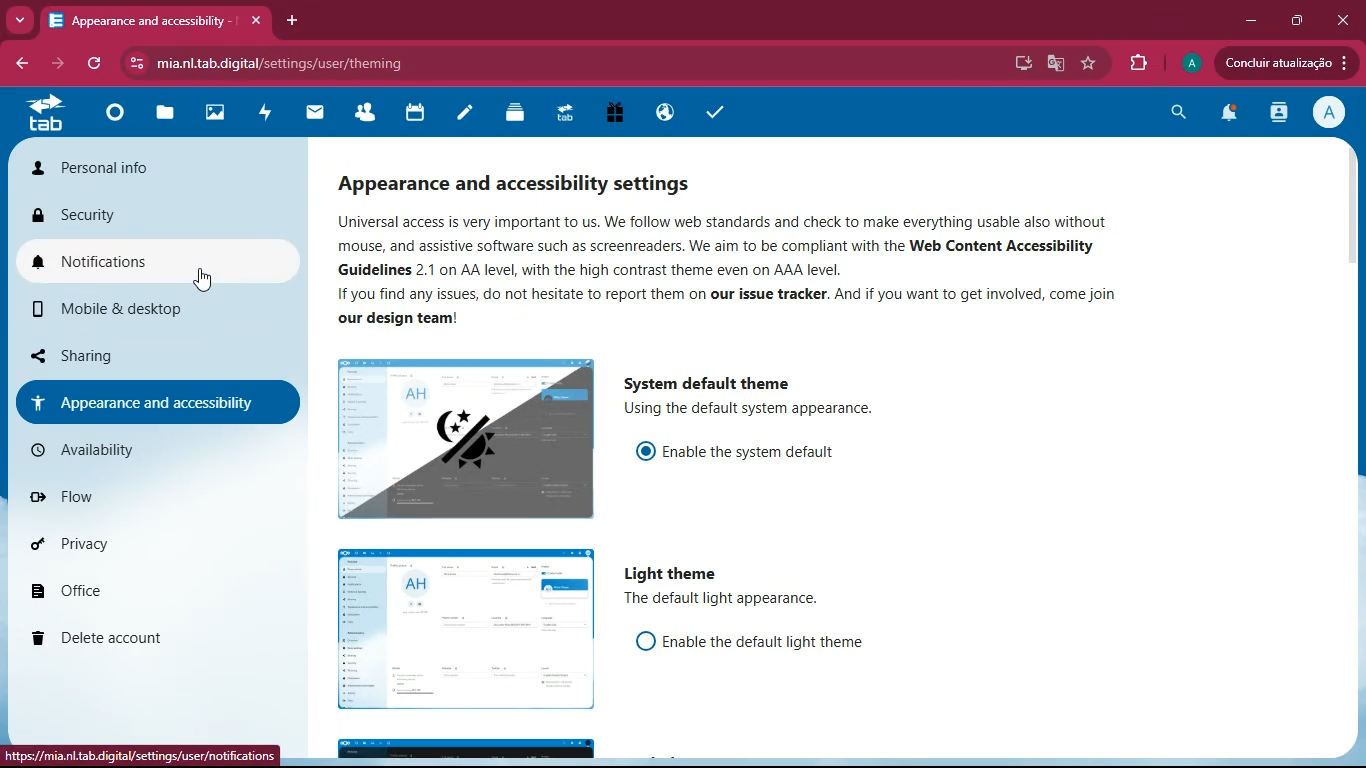 The width and height of the screenshot is (1366, 768). Describe the element at coordinates (149, 264) in the screenshot. I see `notifications` at that location.